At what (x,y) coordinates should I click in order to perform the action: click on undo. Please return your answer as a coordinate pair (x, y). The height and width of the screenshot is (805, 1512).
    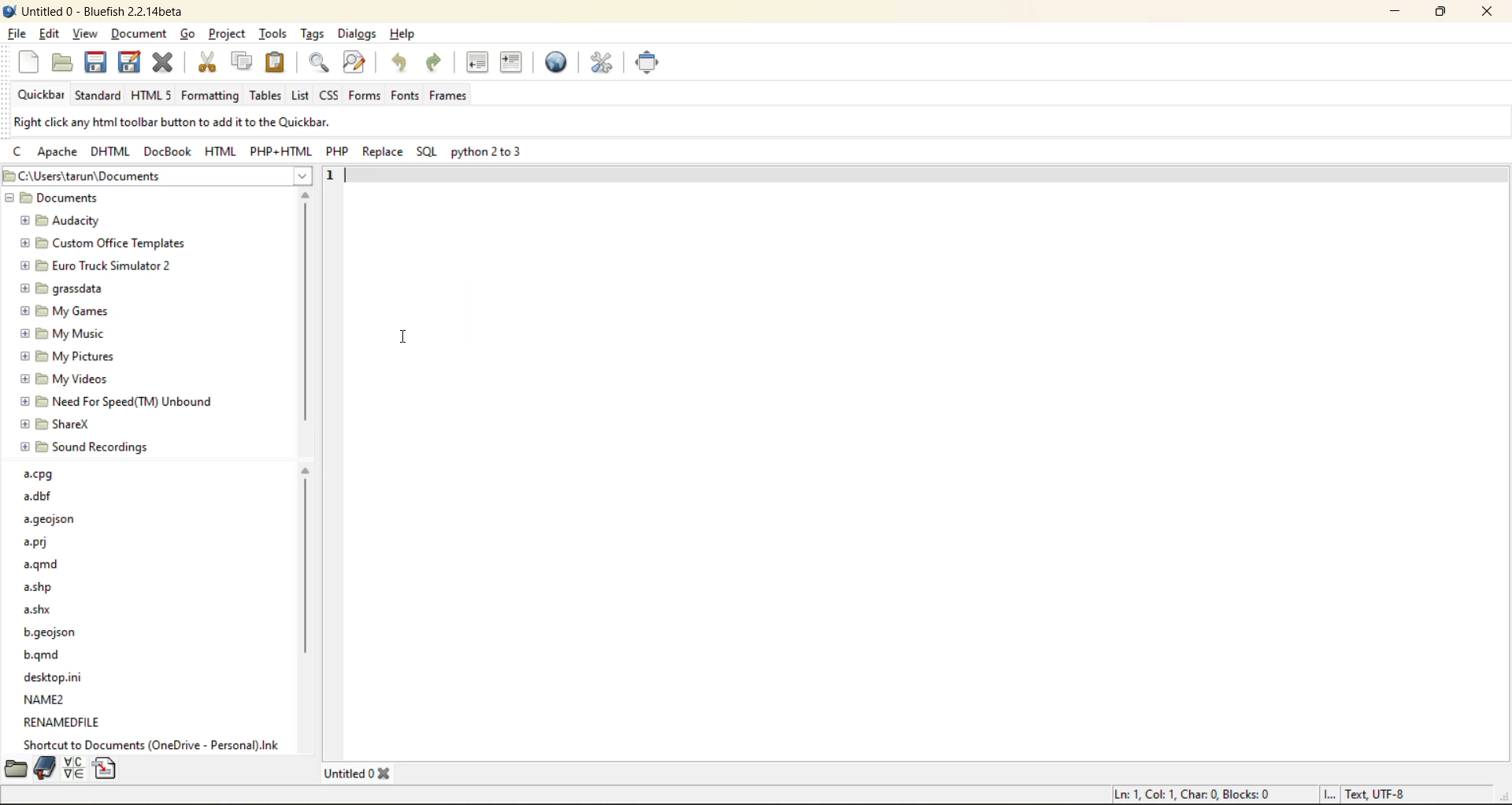
    Looking at the image, I should click on (400, 61).